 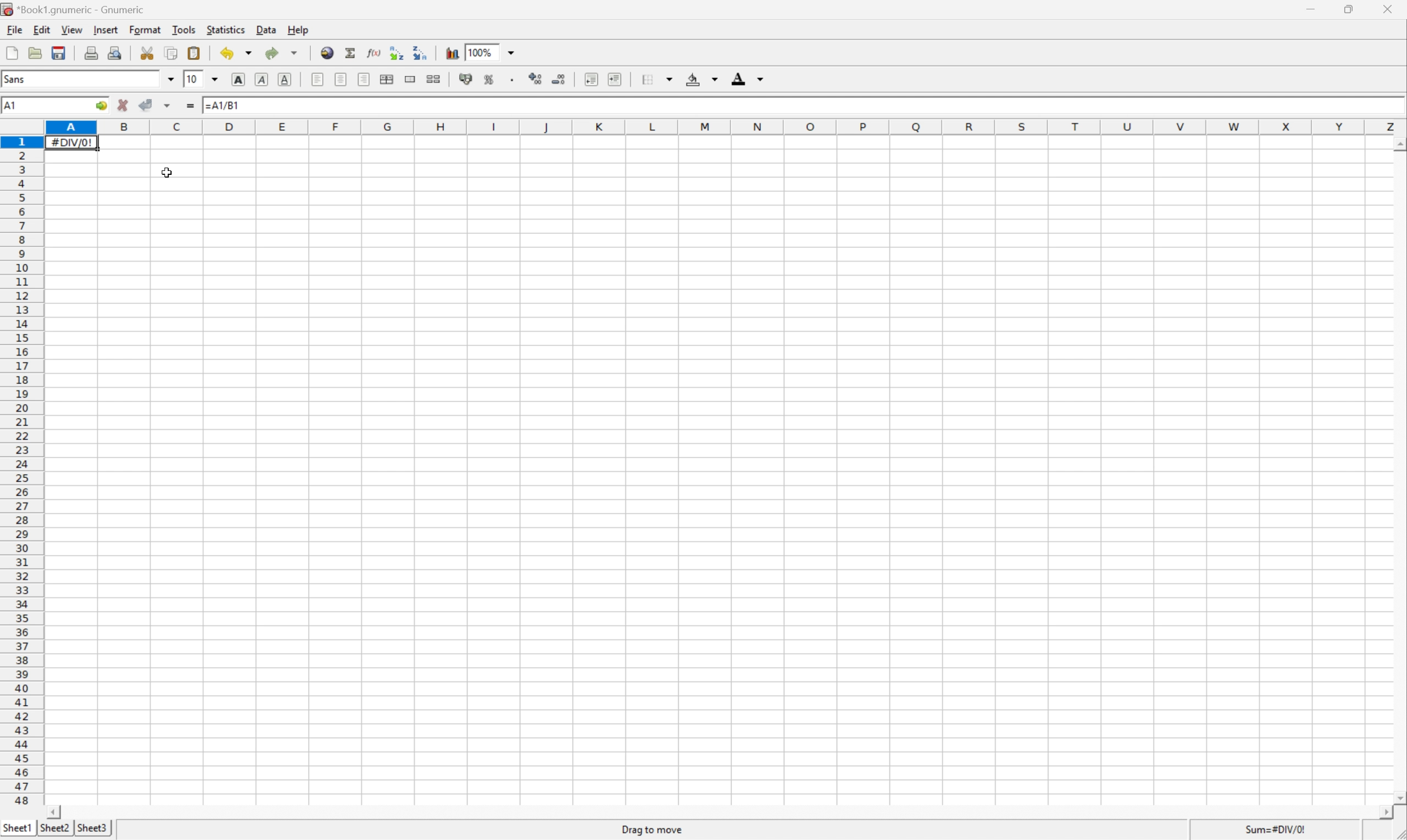 What do you see at coordinates (648, 79) in the screenshot?
I see `Borders` at bounding box center [648, 79].